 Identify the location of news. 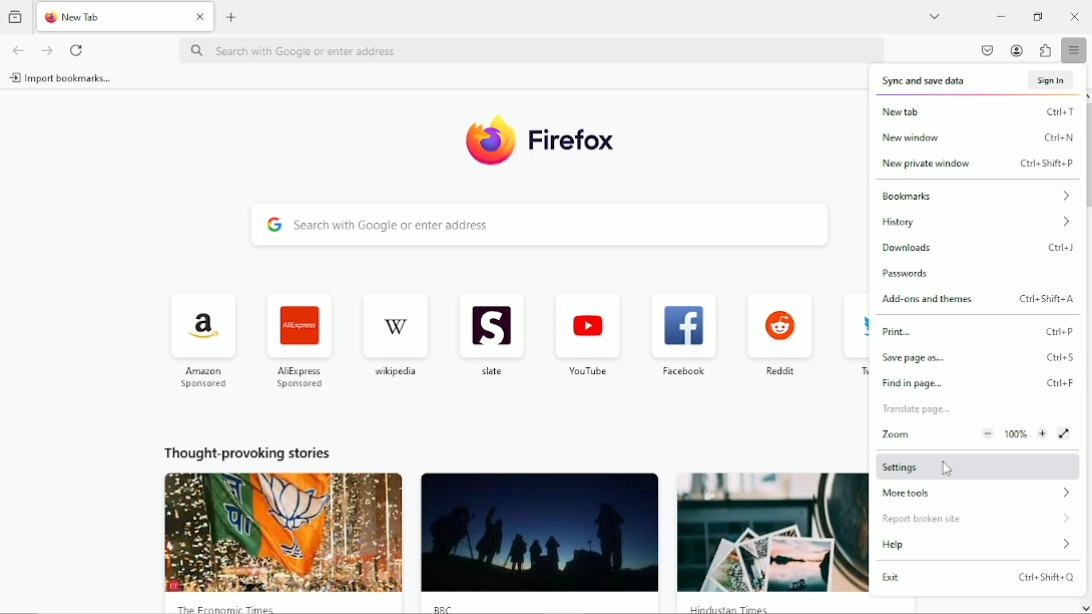
(277, 543).